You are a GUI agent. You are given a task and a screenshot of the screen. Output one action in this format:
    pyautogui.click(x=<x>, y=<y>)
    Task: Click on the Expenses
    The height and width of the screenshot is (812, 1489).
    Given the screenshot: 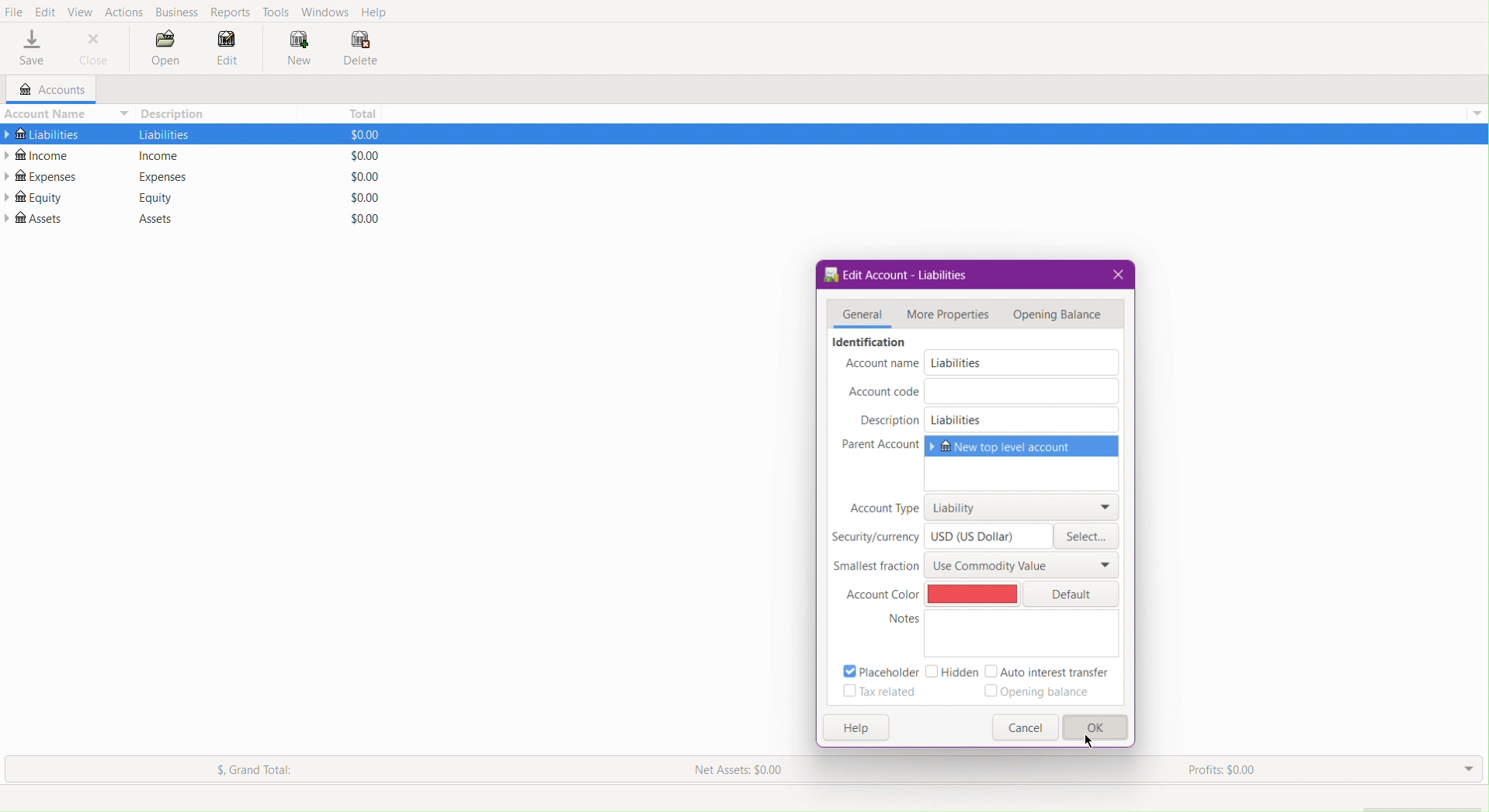 What is the action you would take?
    pyautogui.click(x=42, y=176)
    